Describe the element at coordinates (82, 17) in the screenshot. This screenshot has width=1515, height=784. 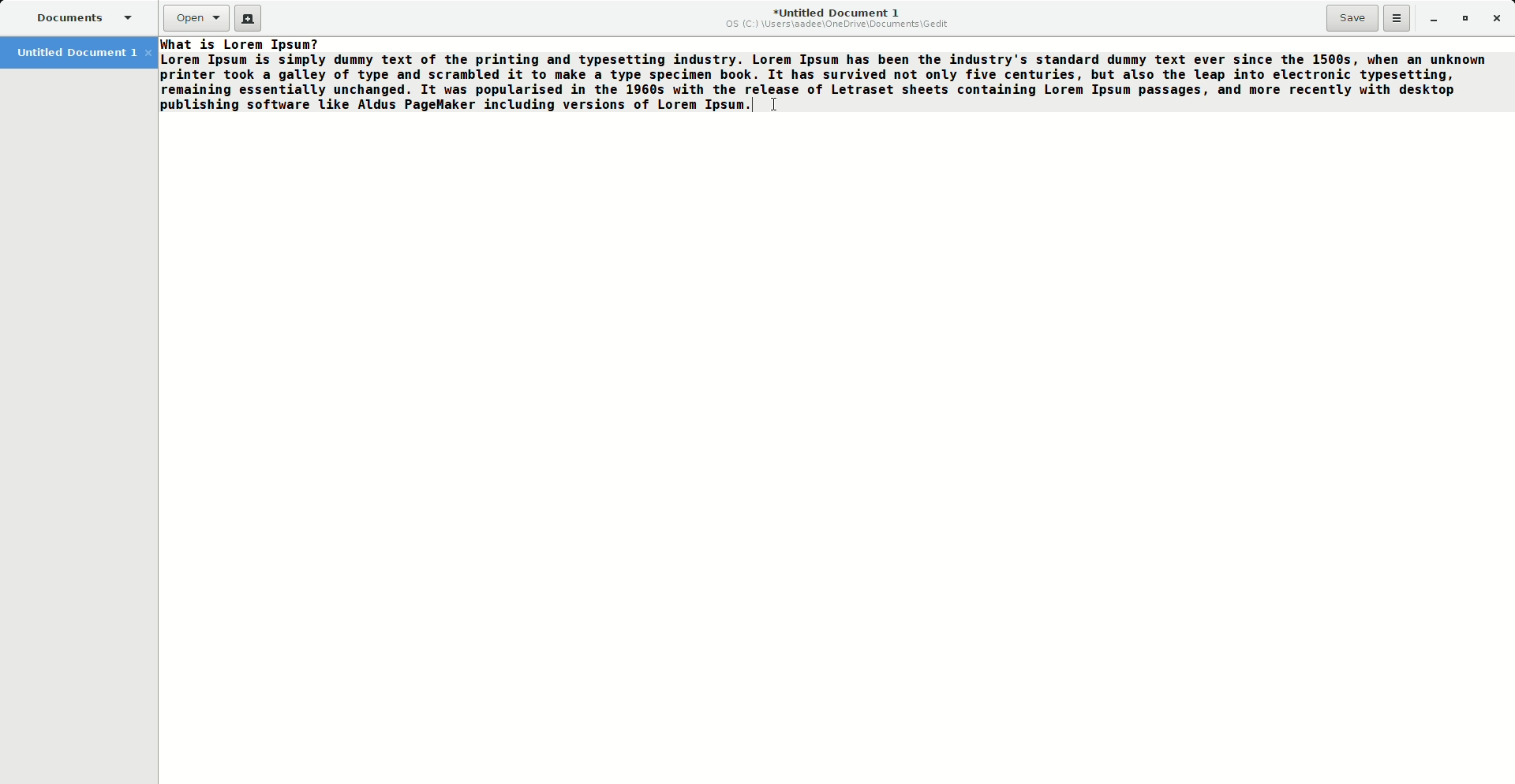
I see `Documents` at that location.